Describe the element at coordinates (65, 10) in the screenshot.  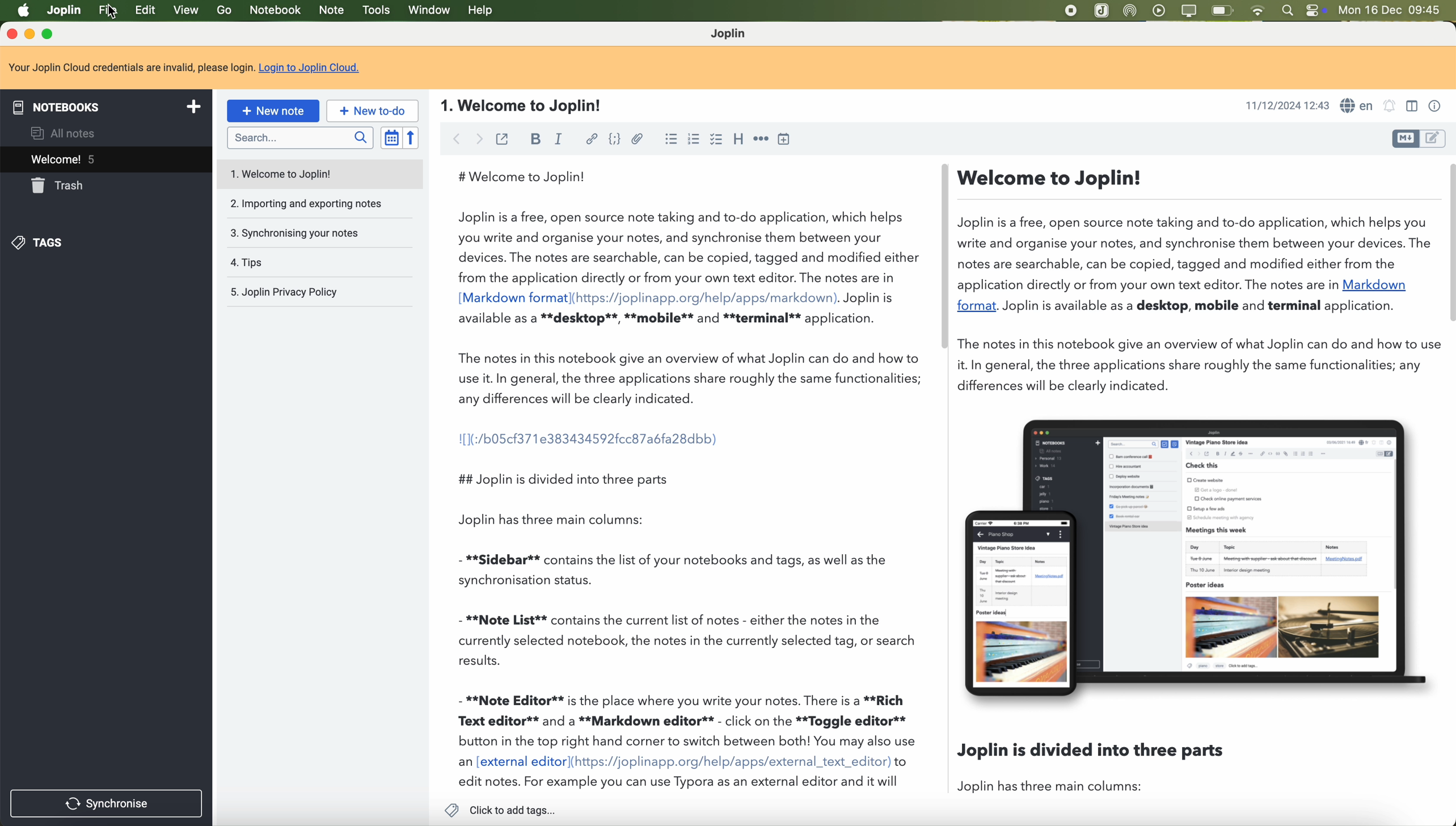
I see `Joplin` at that location.